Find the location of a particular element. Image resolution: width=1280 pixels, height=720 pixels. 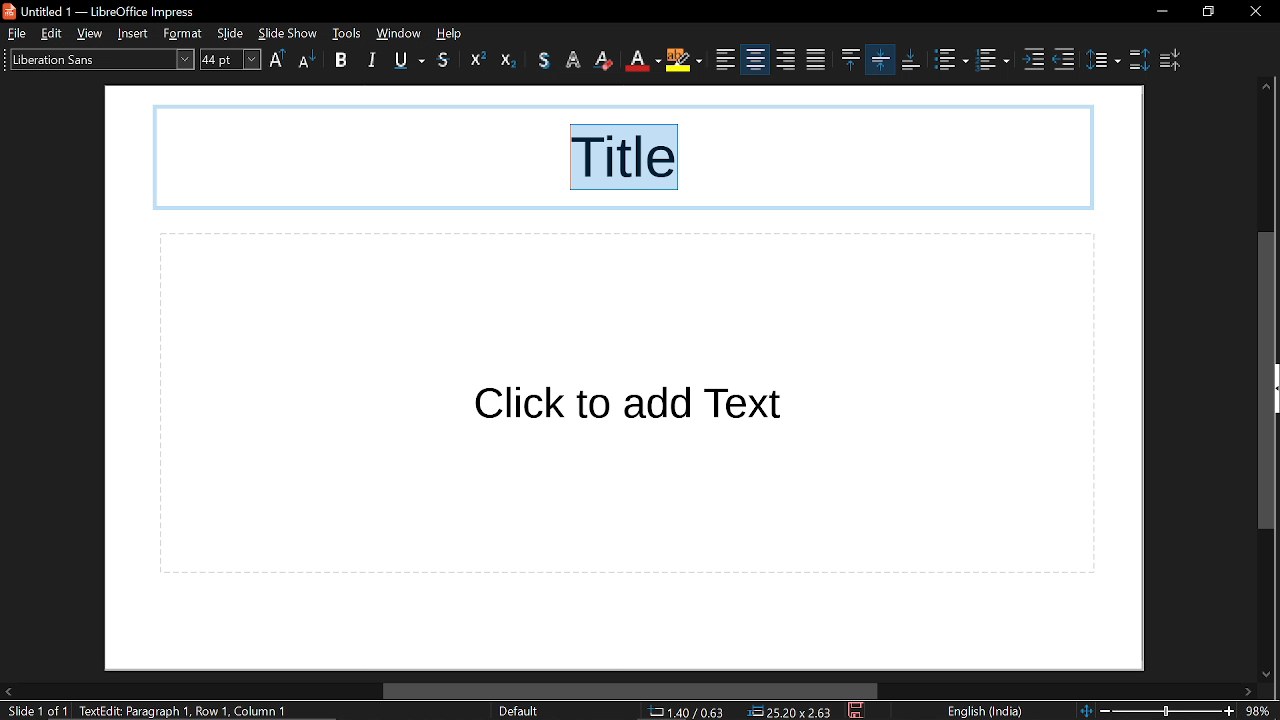

zoom in is located at coordinates (1229, 712).